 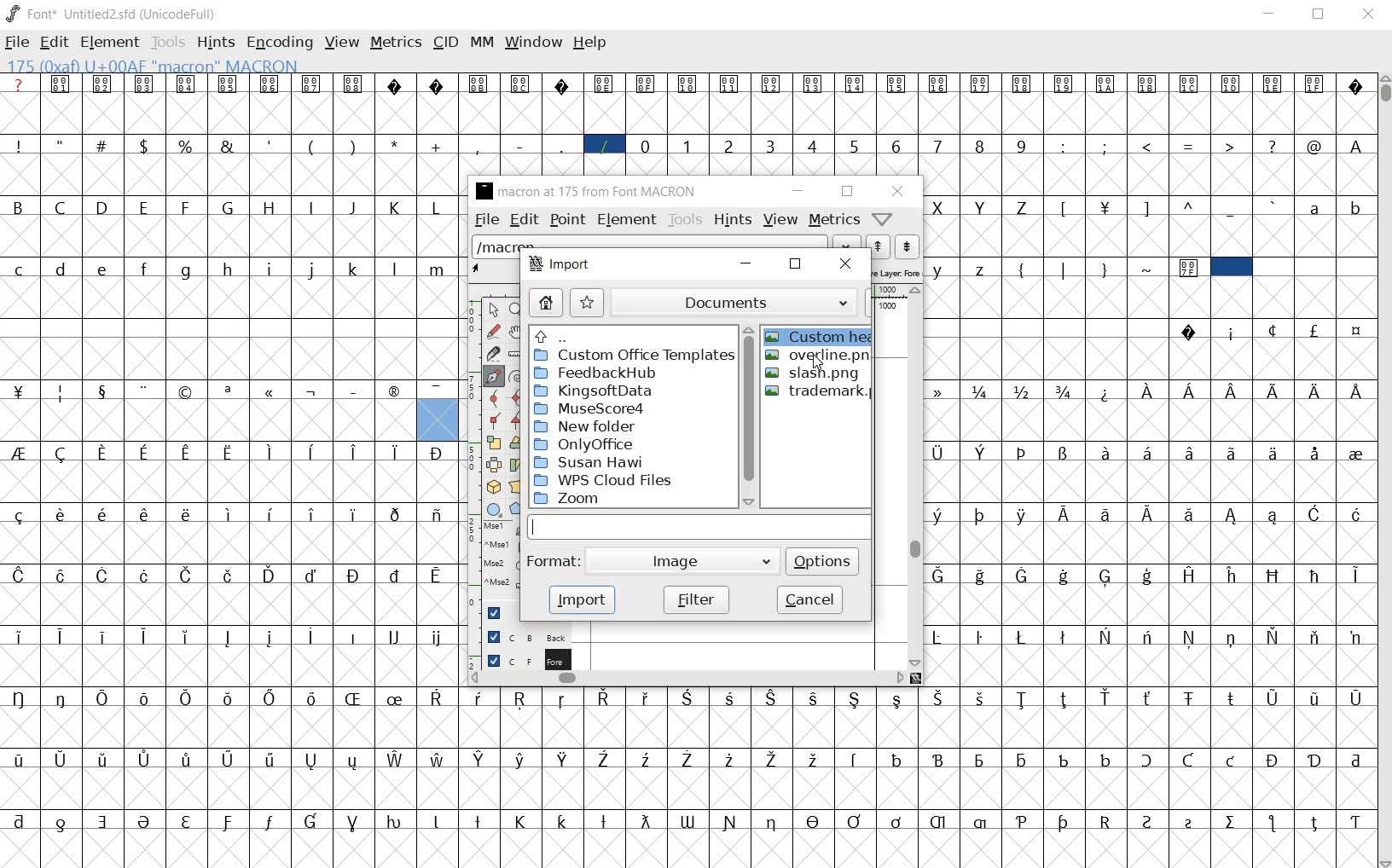 I want to click on ruler, so click(x=513, y=351).